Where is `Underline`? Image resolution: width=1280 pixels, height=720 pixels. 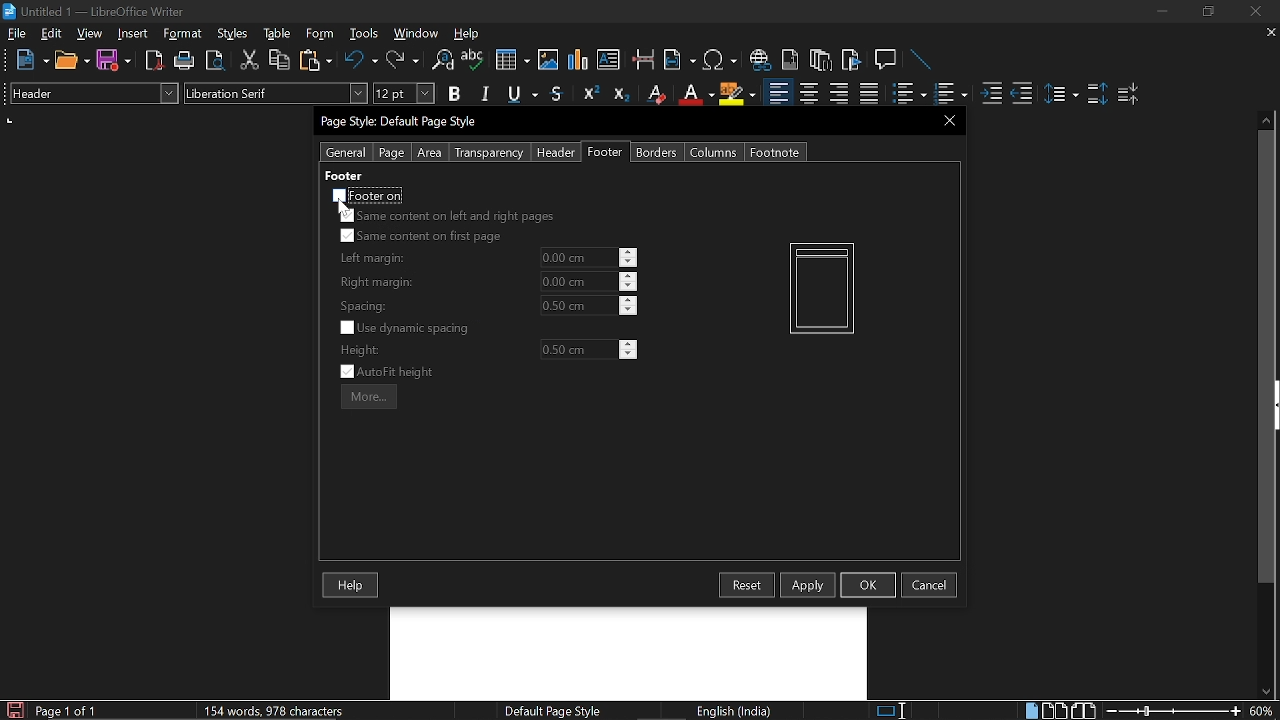 Underline is located at coordinates (695, 94).